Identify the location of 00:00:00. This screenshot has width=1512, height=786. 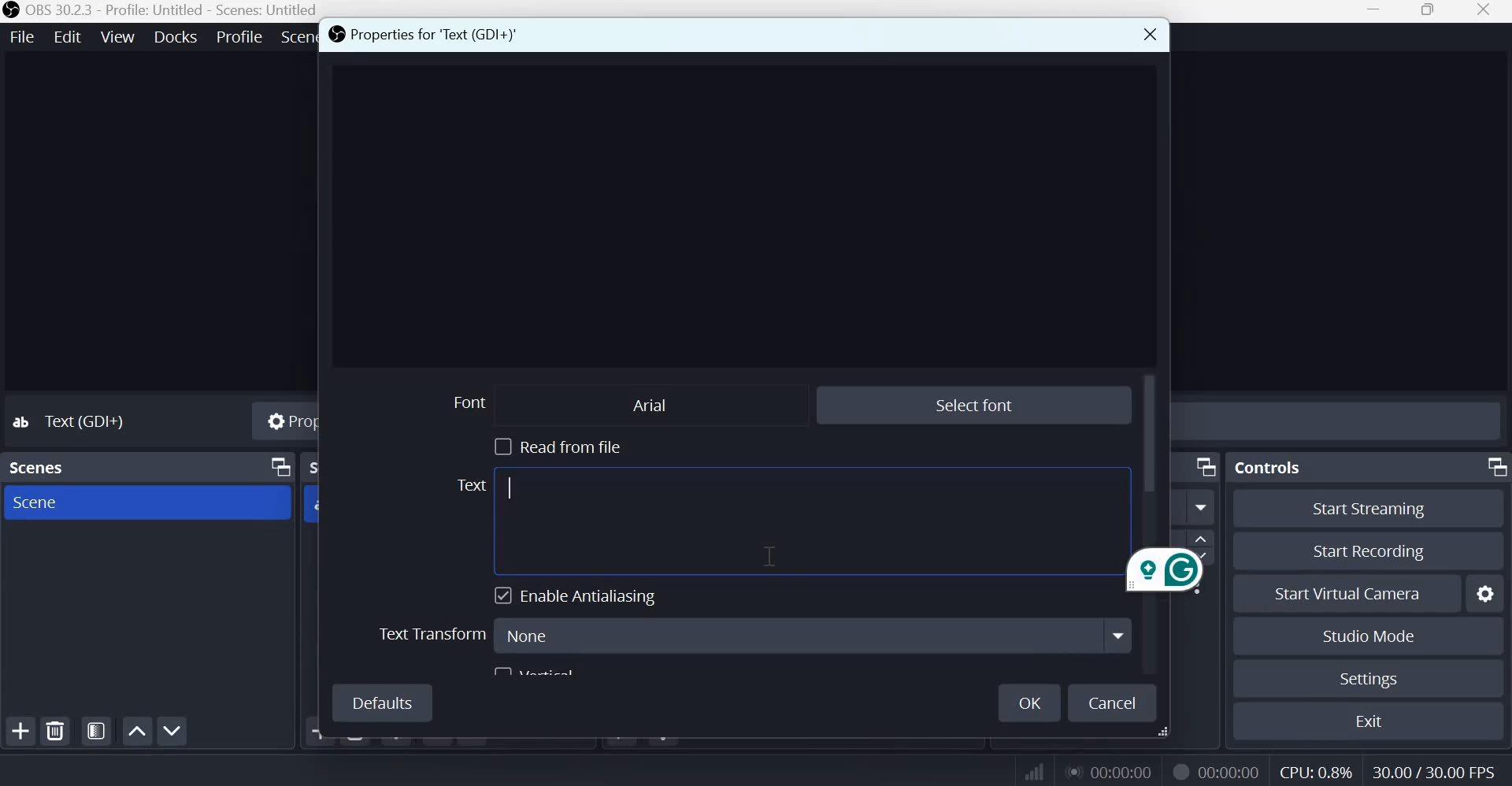
(1229, 773).